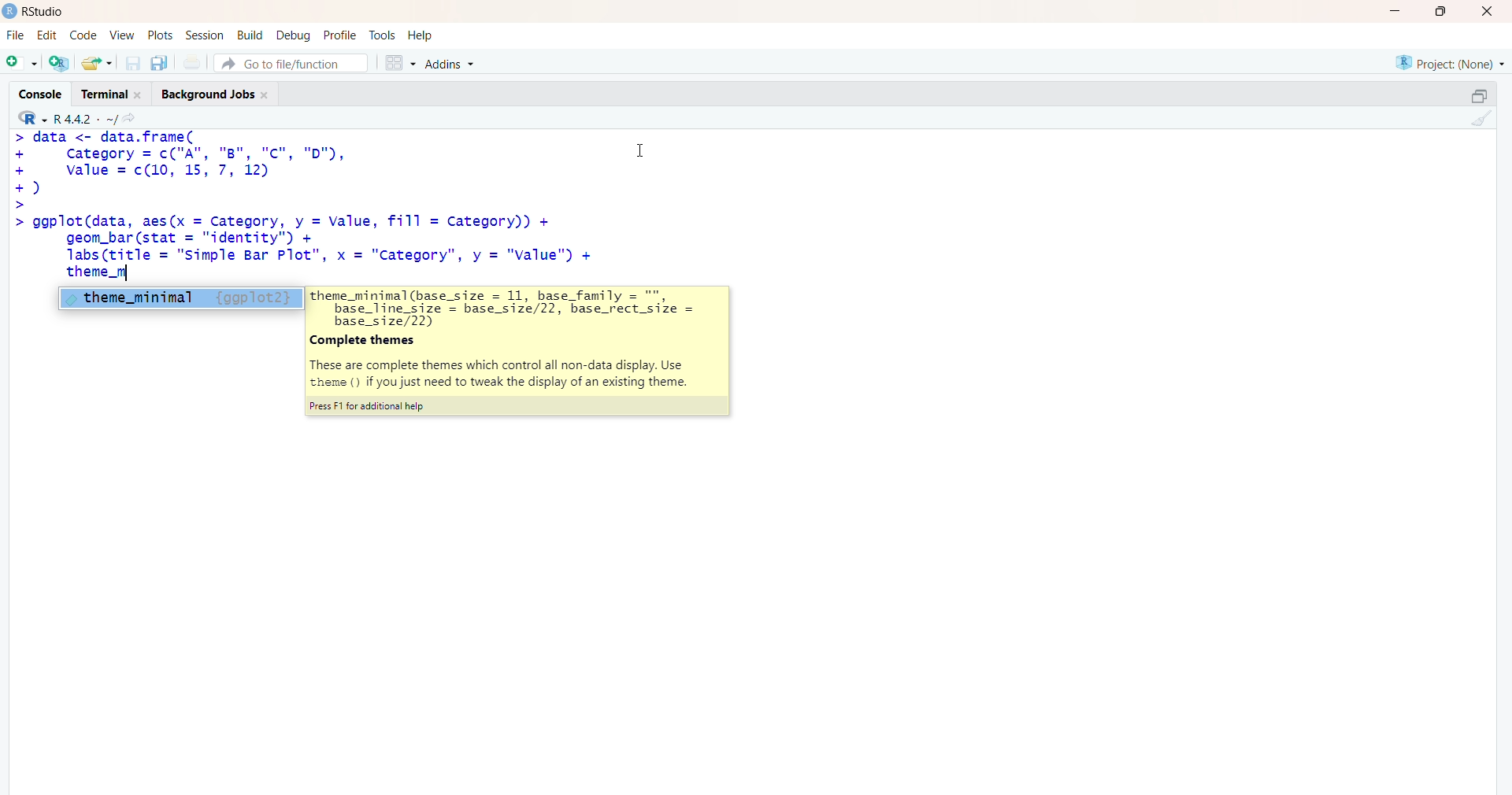 Image resolution: width=1512 pixels, height=795 pixels. I want to click on Terminal, so click(109, 92).